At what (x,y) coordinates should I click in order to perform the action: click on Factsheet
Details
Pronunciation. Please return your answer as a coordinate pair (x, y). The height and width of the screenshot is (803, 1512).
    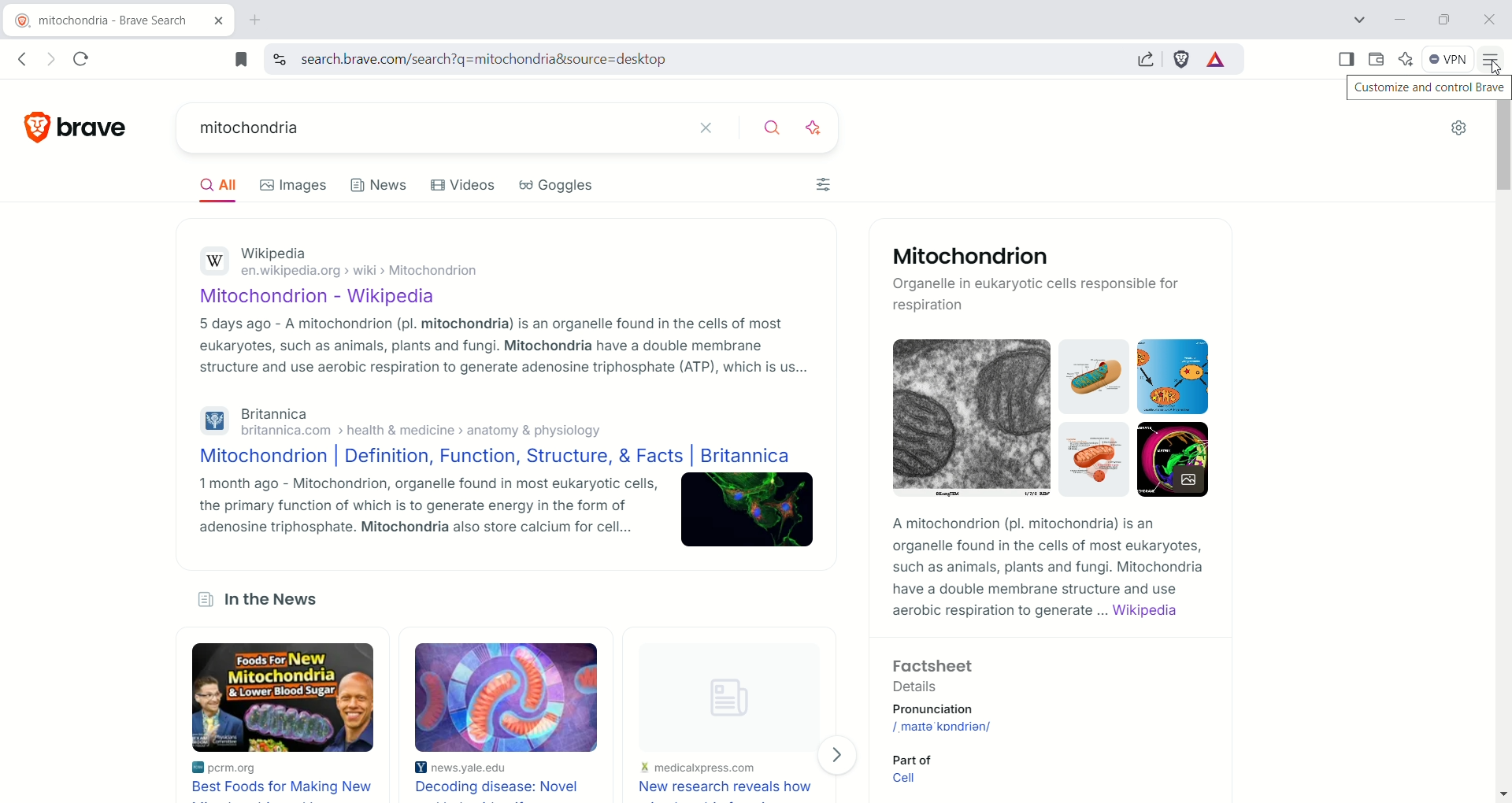
    Looking at the image, I should click on (966, 687).